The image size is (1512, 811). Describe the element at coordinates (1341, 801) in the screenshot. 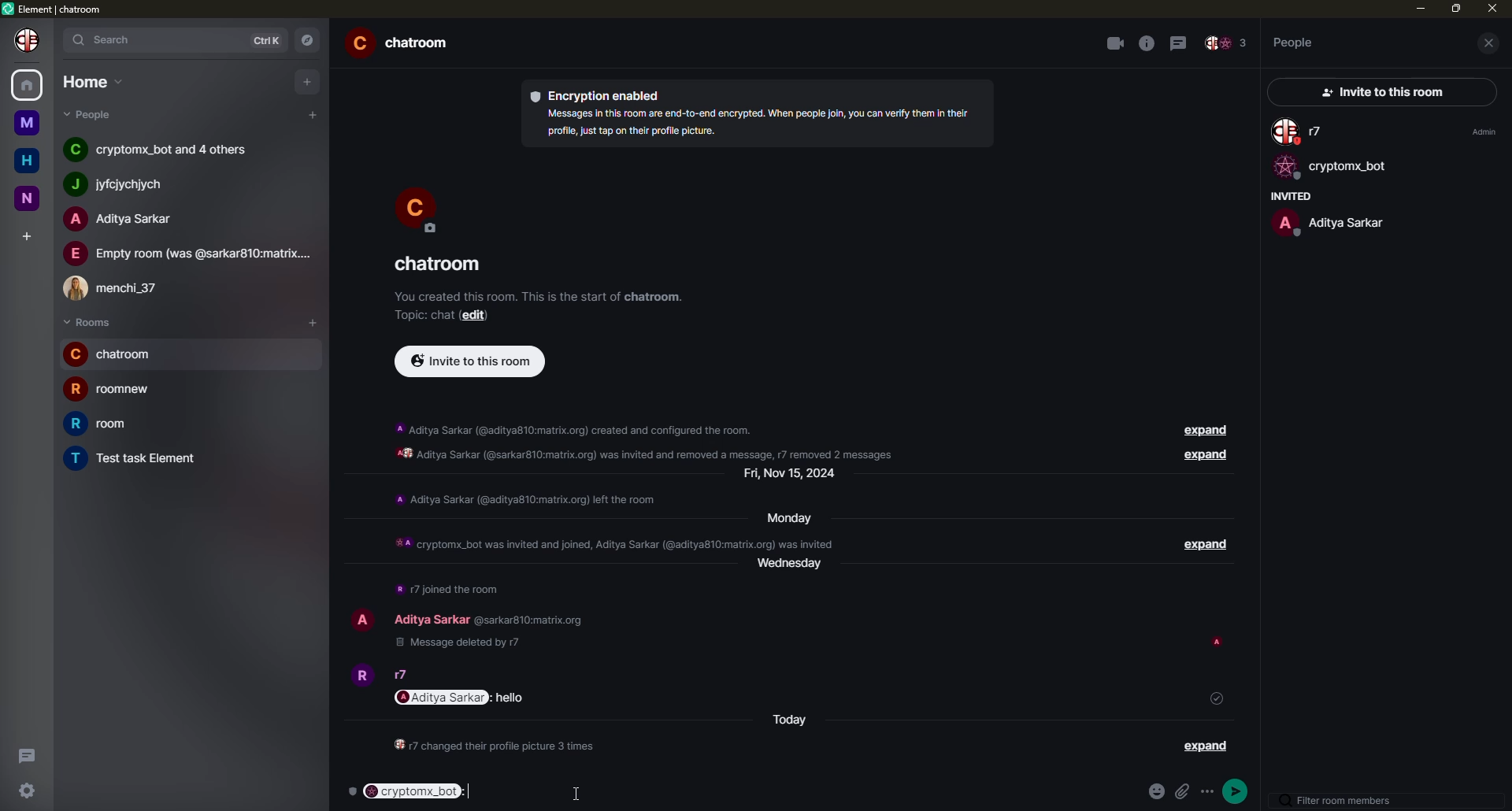

I see `filter room members` at that location.